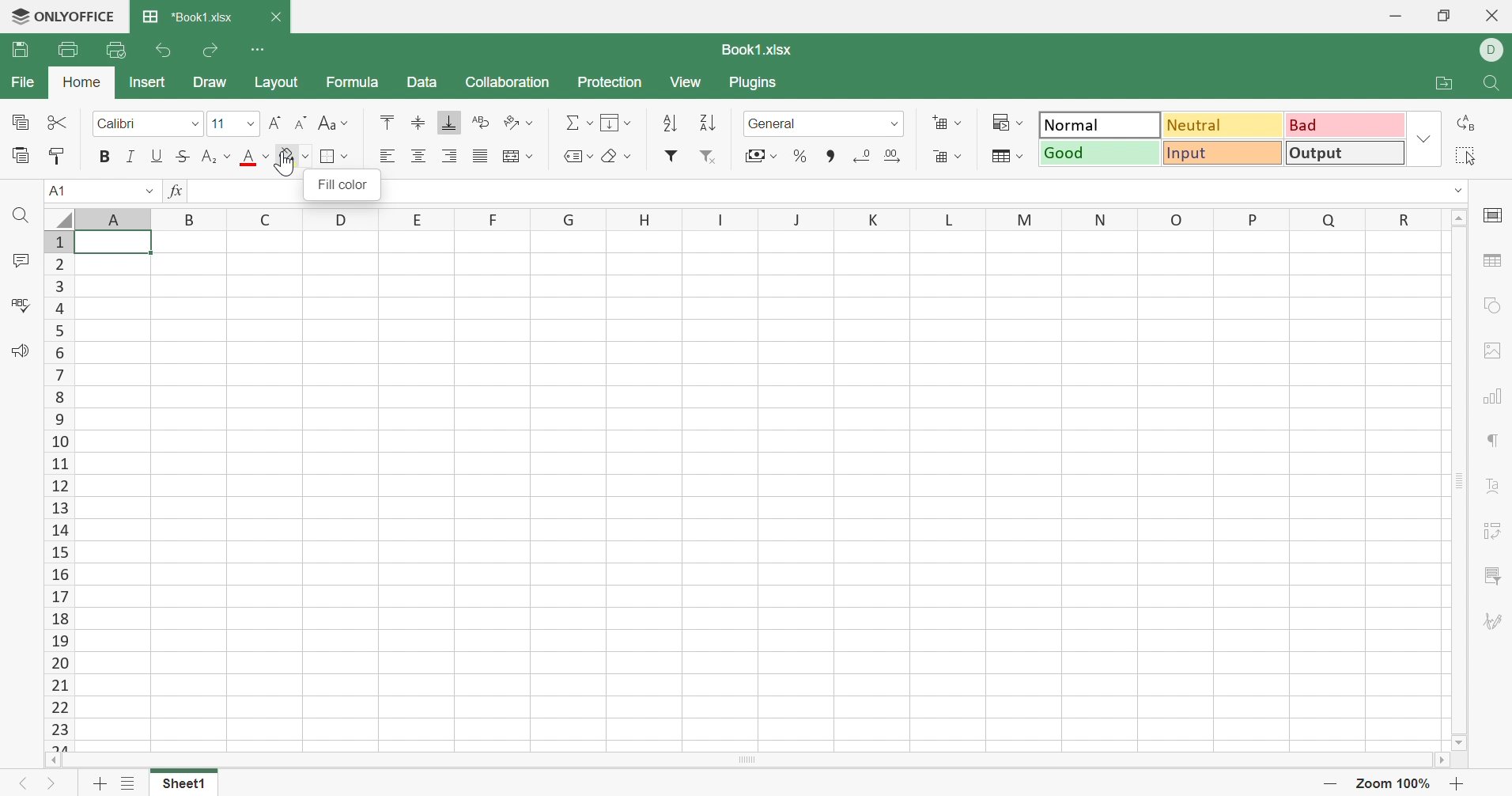 This screenshot has width=1512, height=796. I want to click on Minimize, so click(1394, 16).